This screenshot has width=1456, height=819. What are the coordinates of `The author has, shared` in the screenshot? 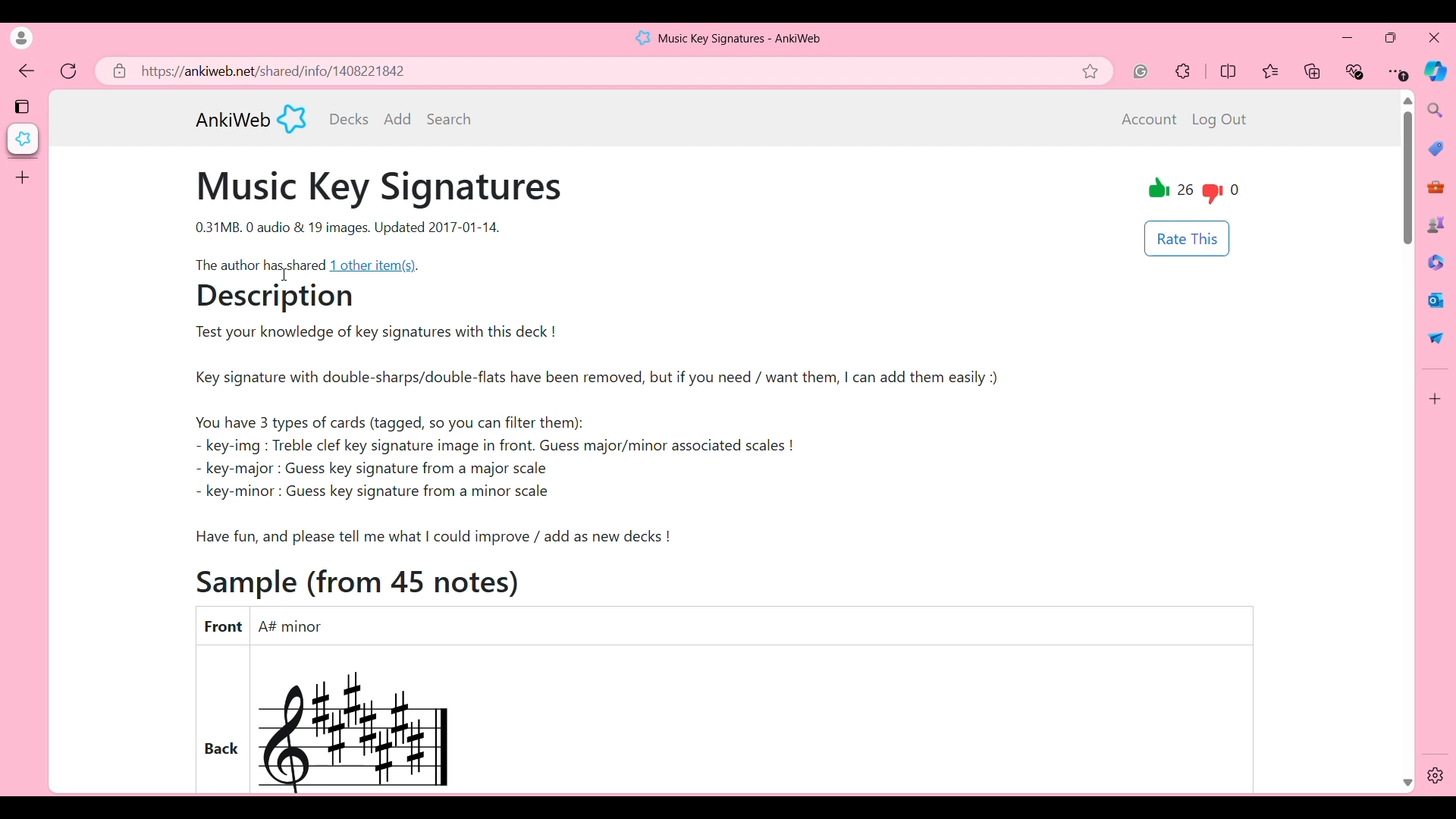 It's located at (259, 265).